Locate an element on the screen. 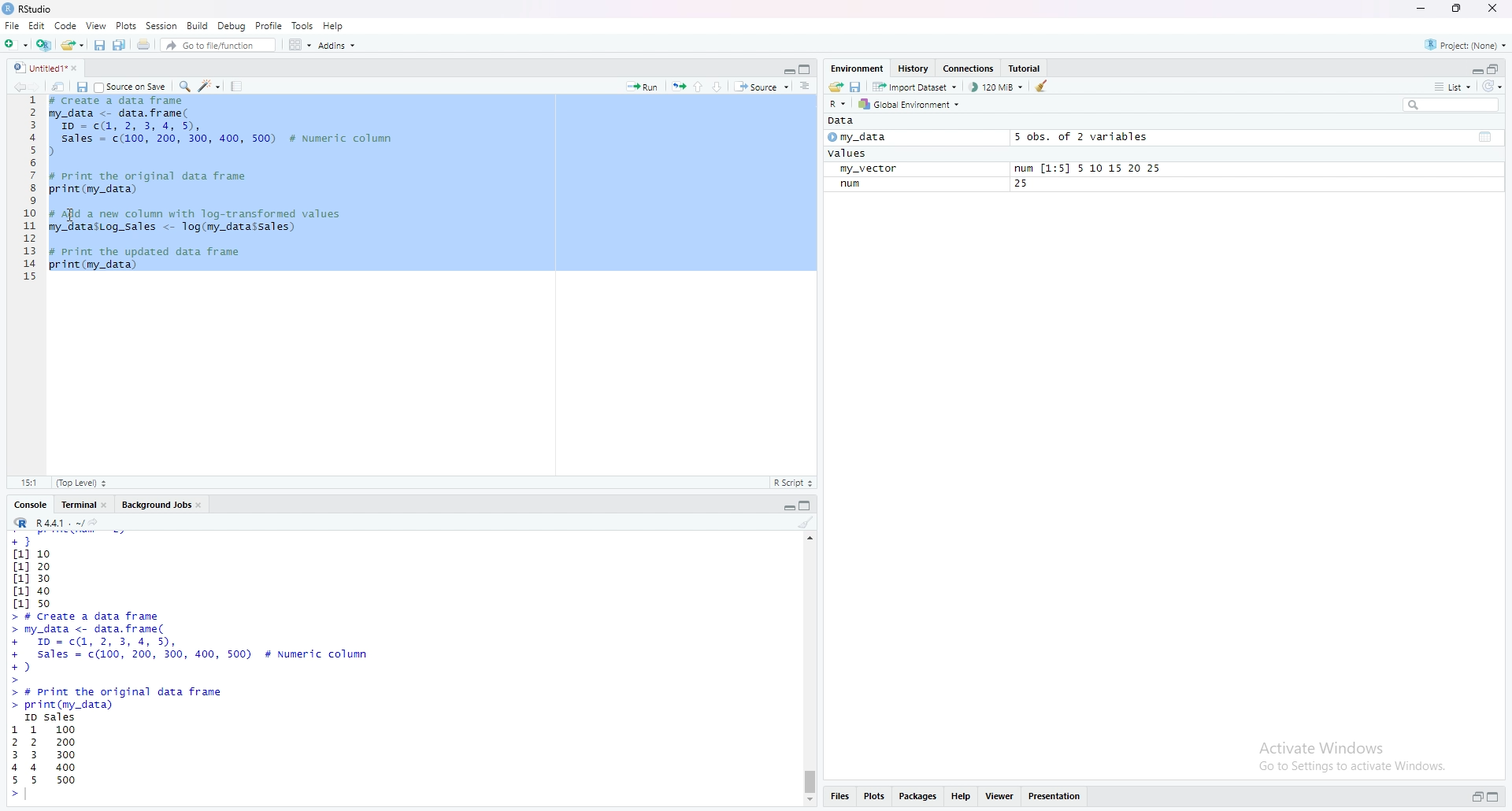 The image size is (1512, 811). minimize is located at coordinates (784, 69).